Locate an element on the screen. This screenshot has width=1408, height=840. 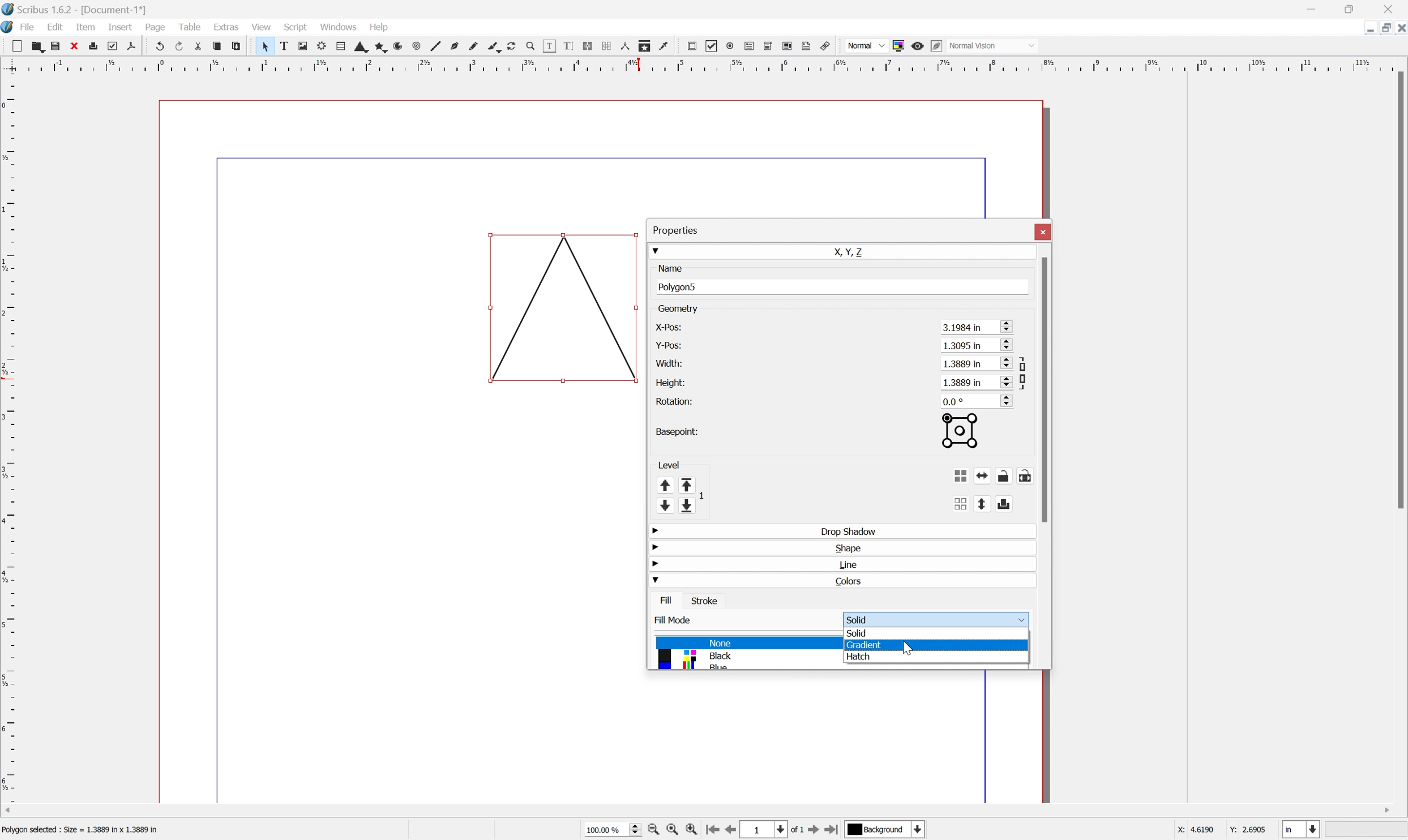
Line is located at coordinates (854, 564).